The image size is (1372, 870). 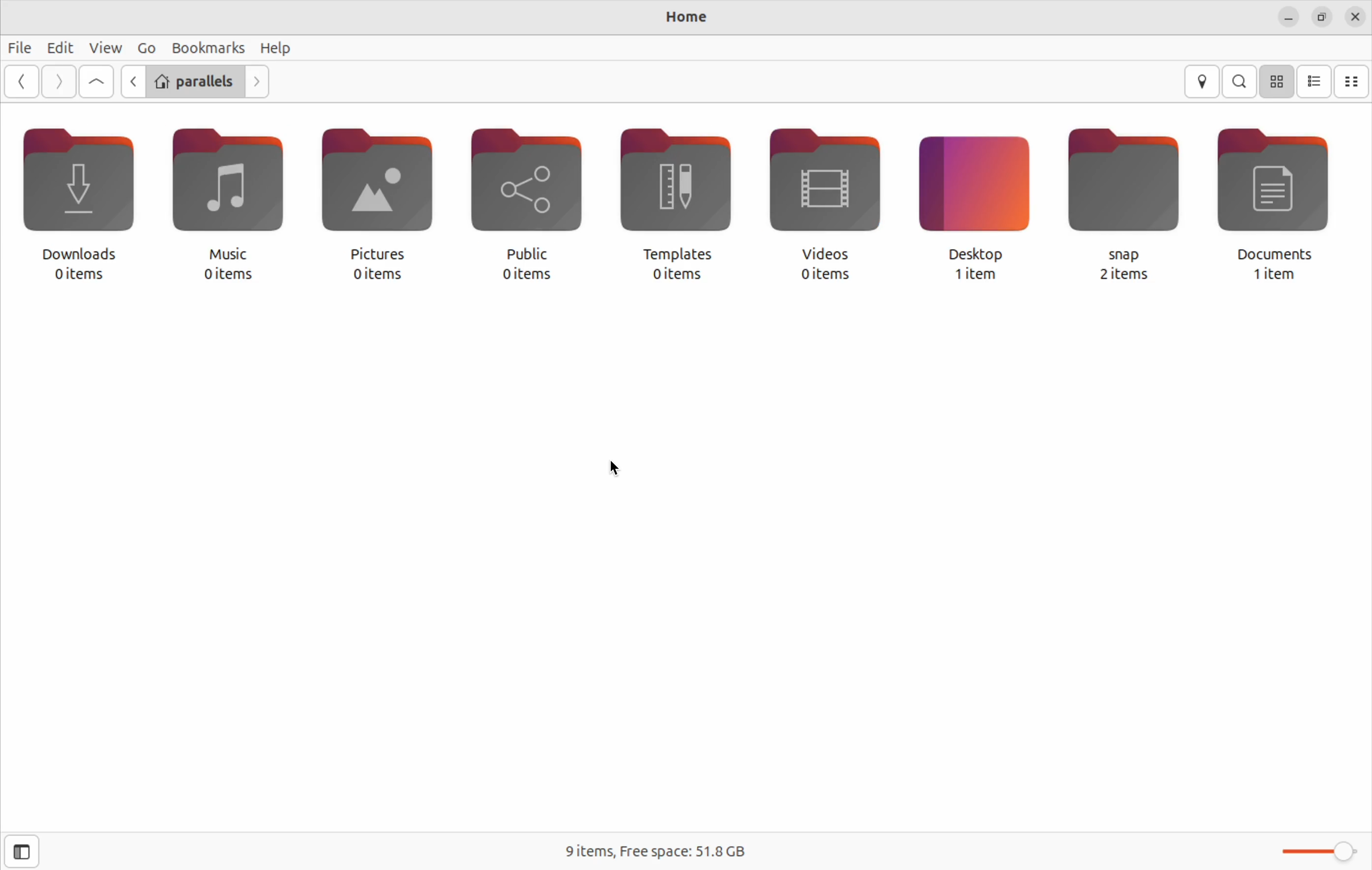 I want to click on list view, so click(x=1316, y=81).